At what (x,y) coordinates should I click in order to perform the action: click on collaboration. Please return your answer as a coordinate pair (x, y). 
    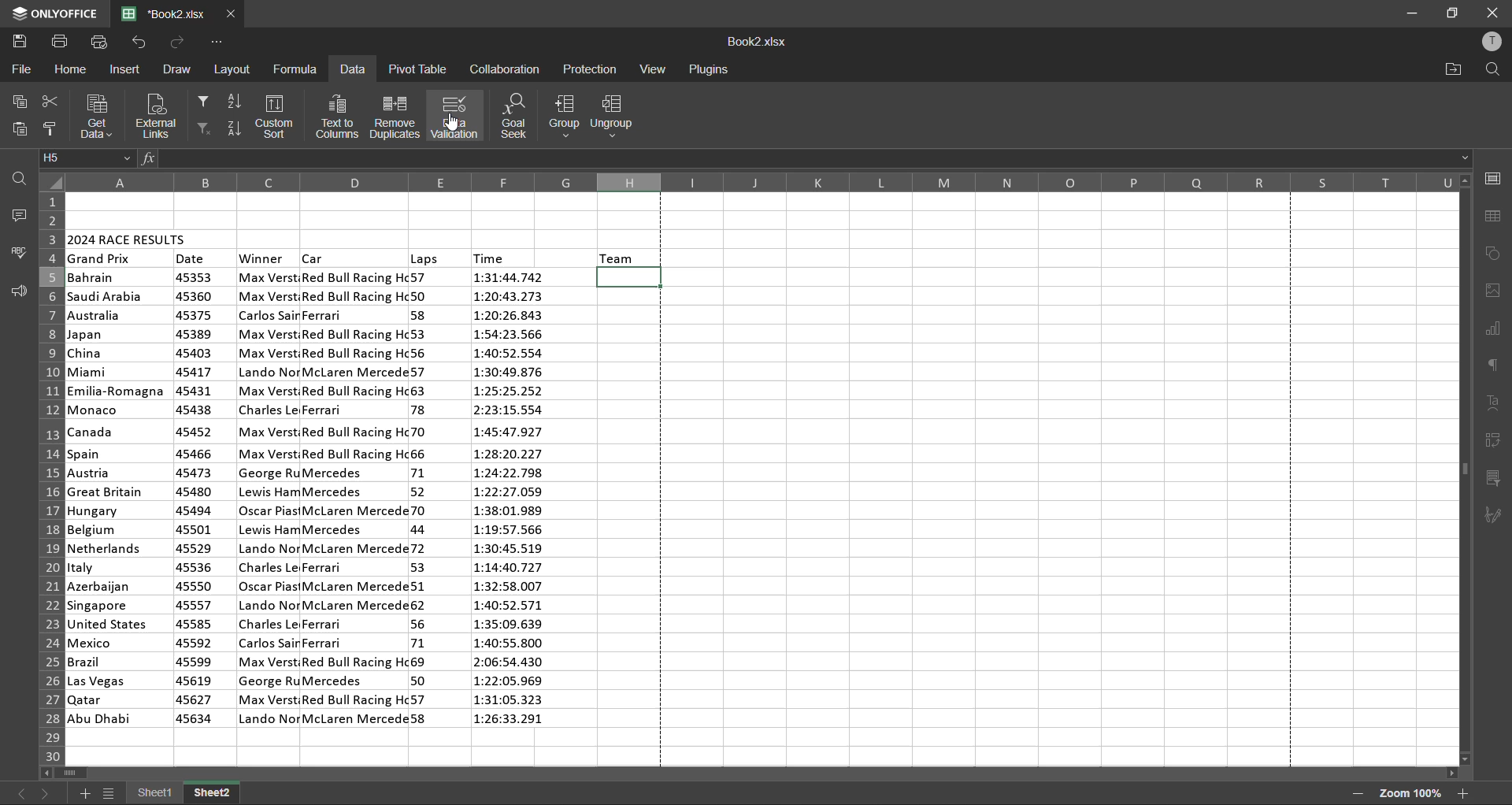
    Looking at the image, I should click on (504, 69).